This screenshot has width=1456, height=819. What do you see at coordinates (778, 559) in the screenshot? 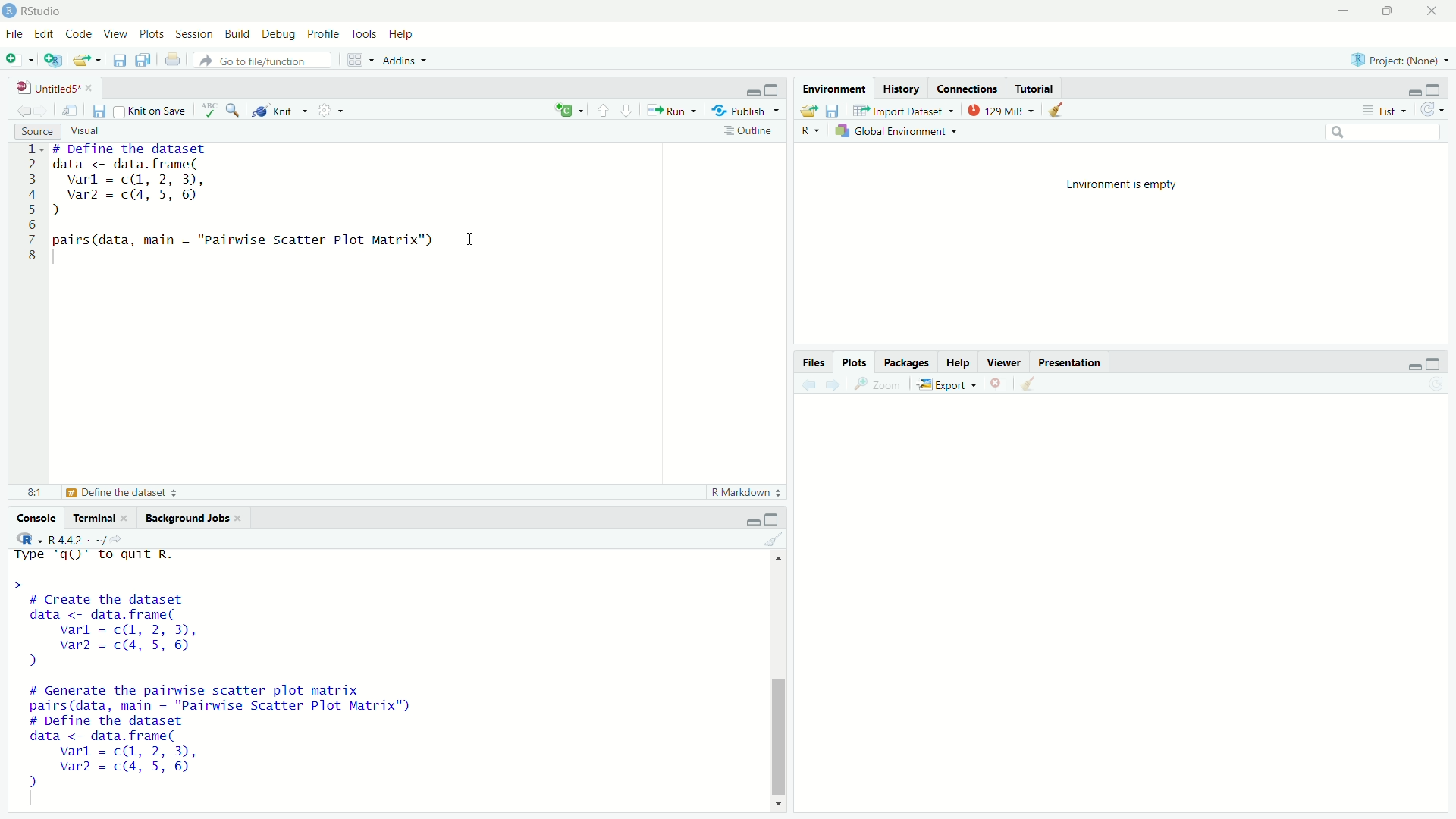
I see `Up` at bounding box center [778, 559].